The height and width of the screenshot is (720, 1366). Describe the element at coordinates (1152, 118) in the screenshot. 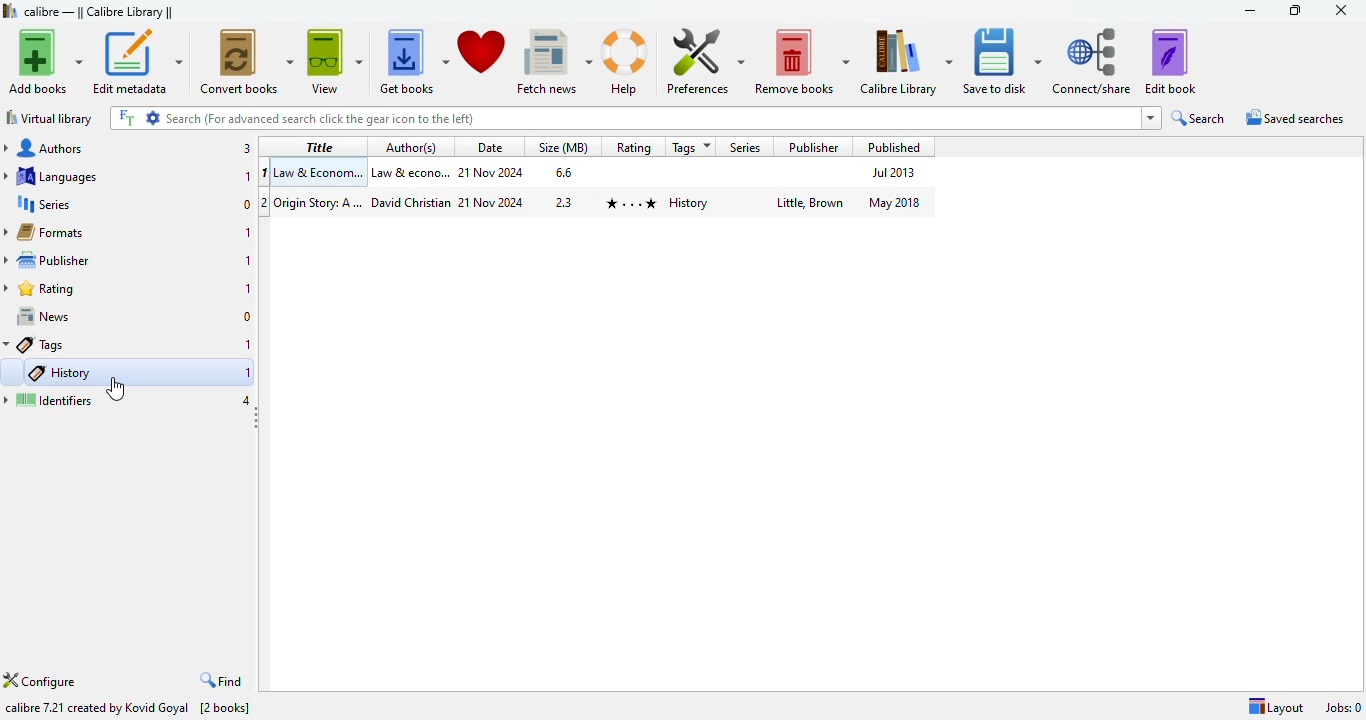

I see `dropdown` at that location.